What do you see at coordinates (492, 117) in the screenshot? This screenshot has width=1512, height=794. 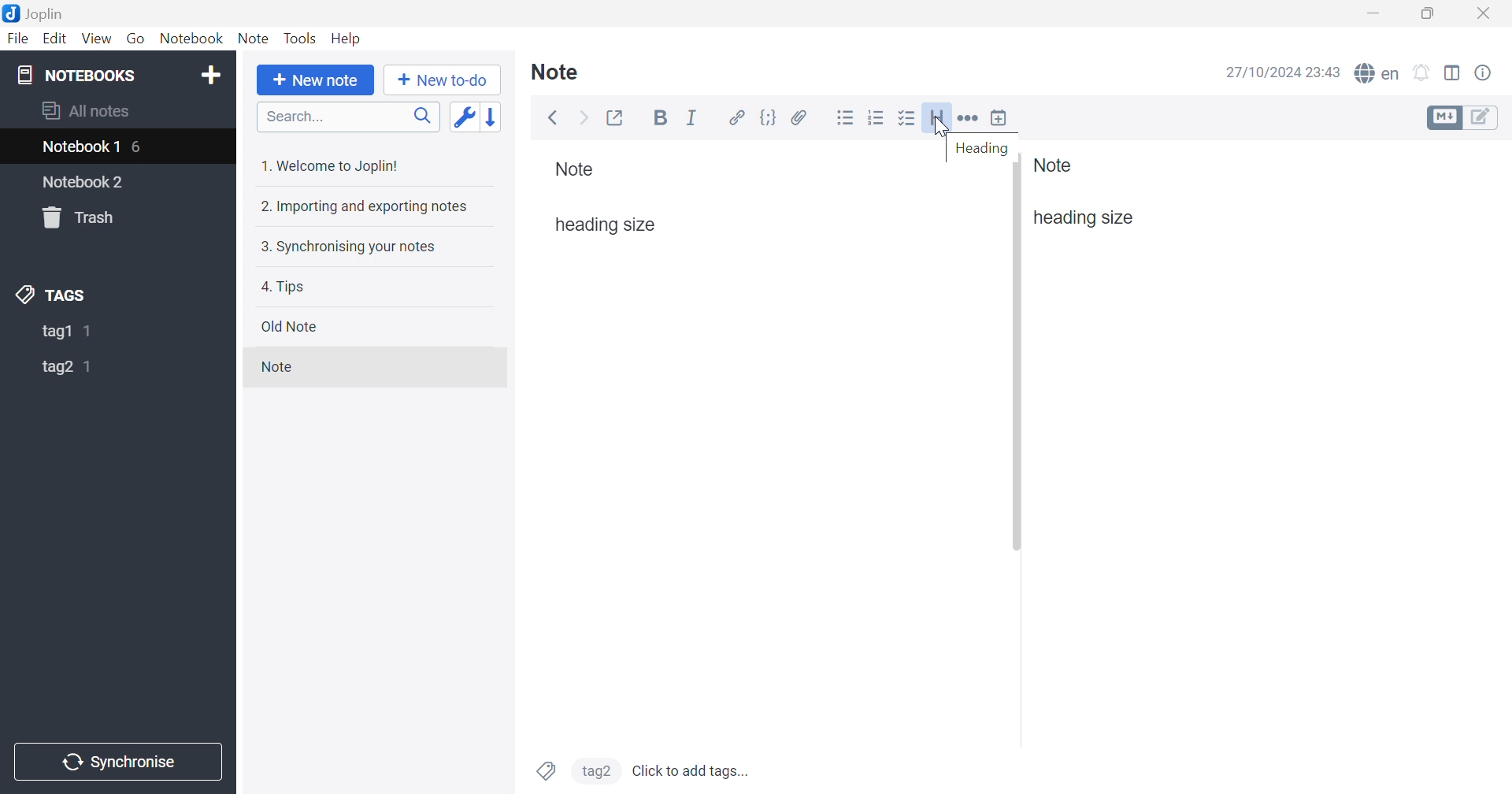 I see `Reverse sort order` at bounding box center [492, 117].